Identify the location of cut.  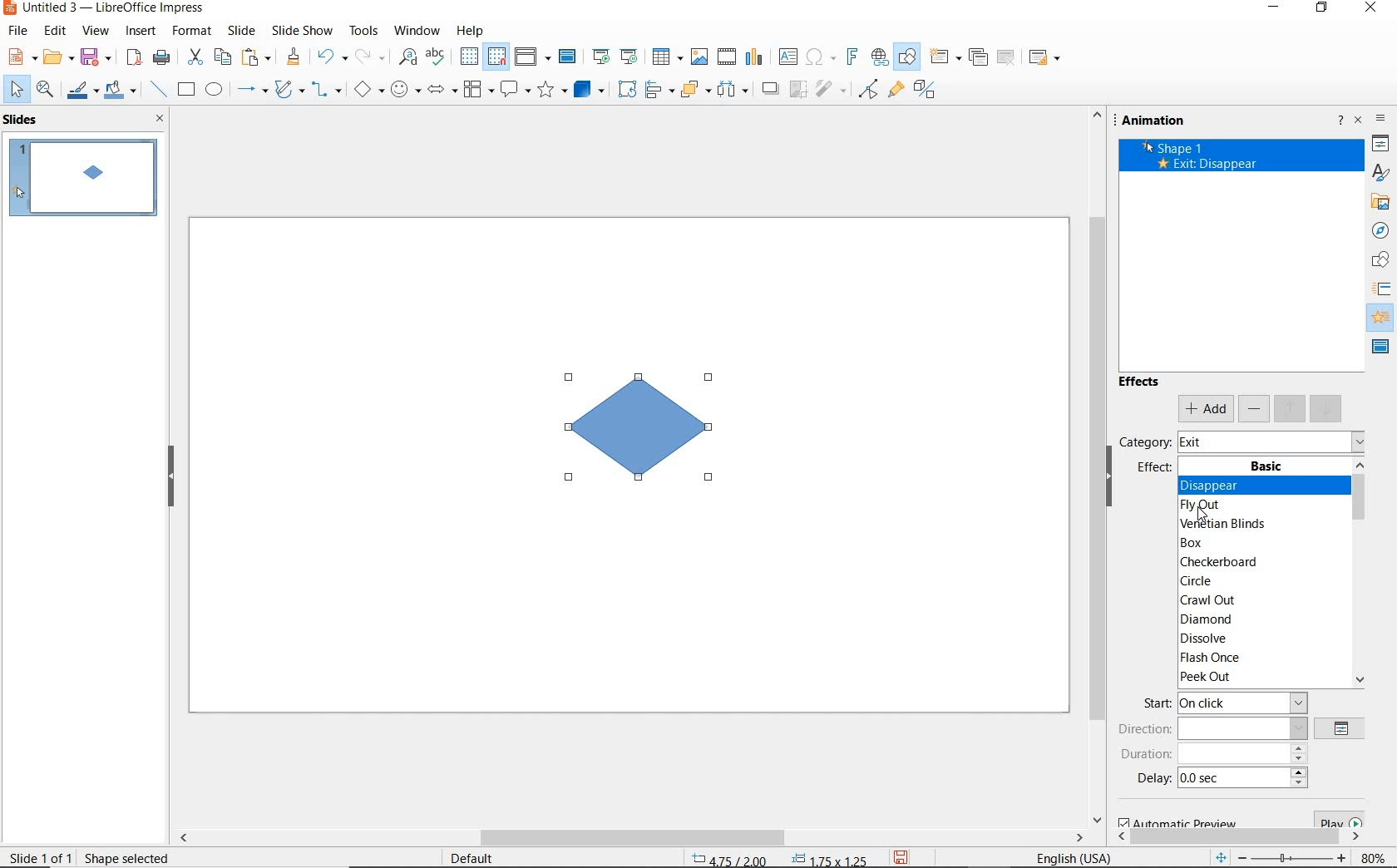
(195, 57).